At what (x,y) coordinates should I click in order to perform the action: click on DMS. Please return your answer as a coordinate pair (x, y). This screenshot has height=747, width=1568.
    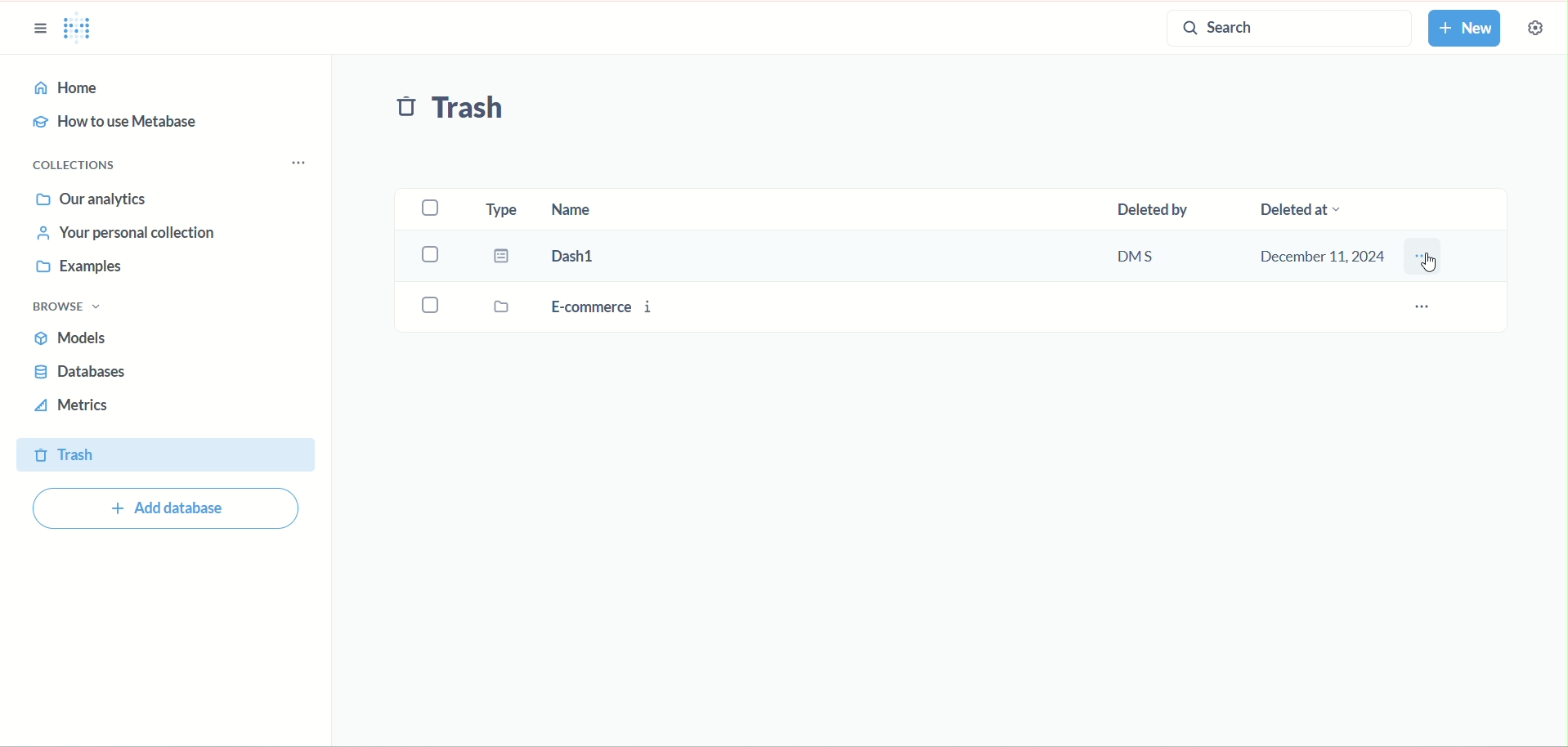
    Looking at the image, I should click on (1152, 258).